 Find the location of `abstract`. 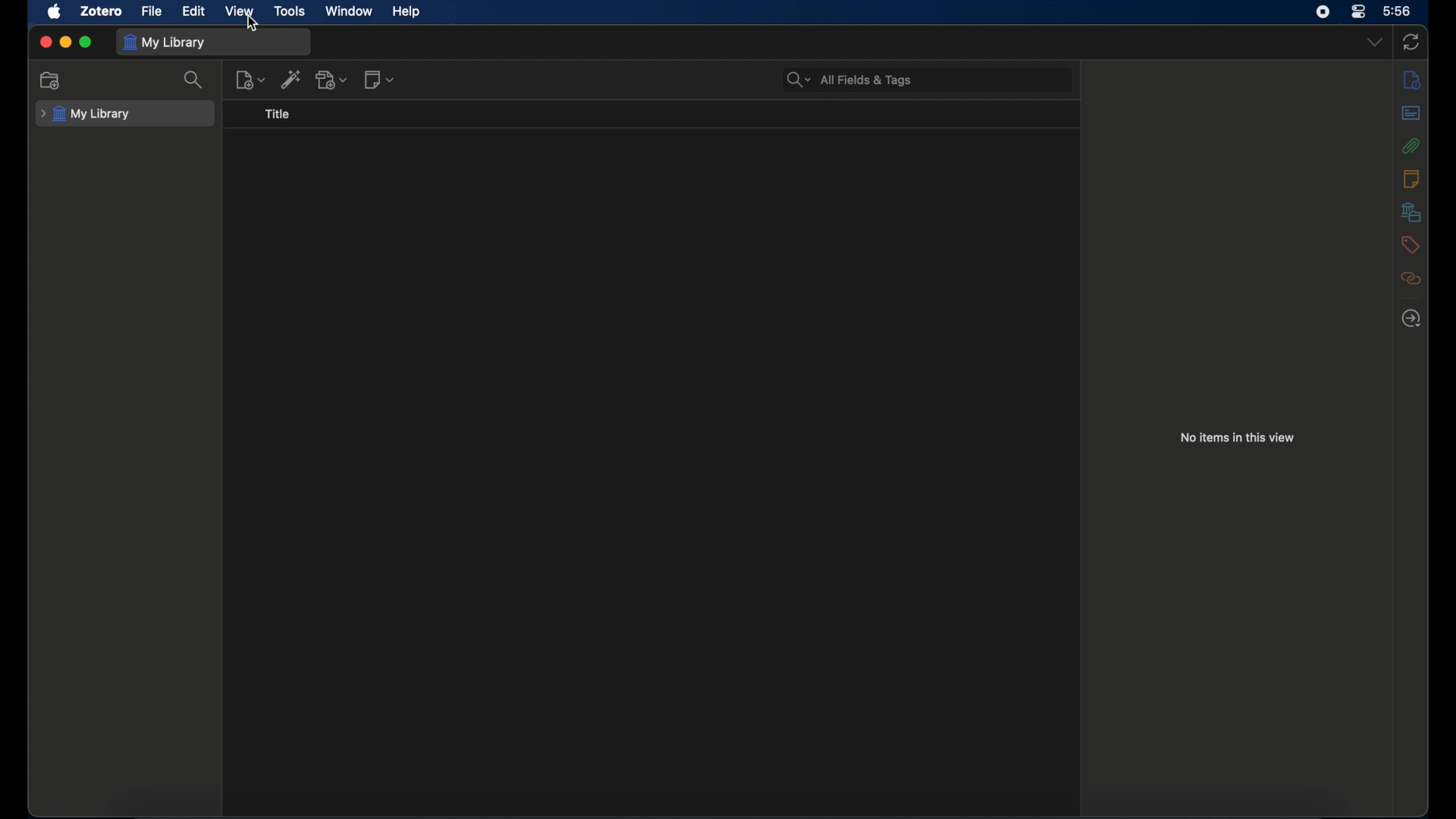

abstract is located at coordinates (1410, 113).